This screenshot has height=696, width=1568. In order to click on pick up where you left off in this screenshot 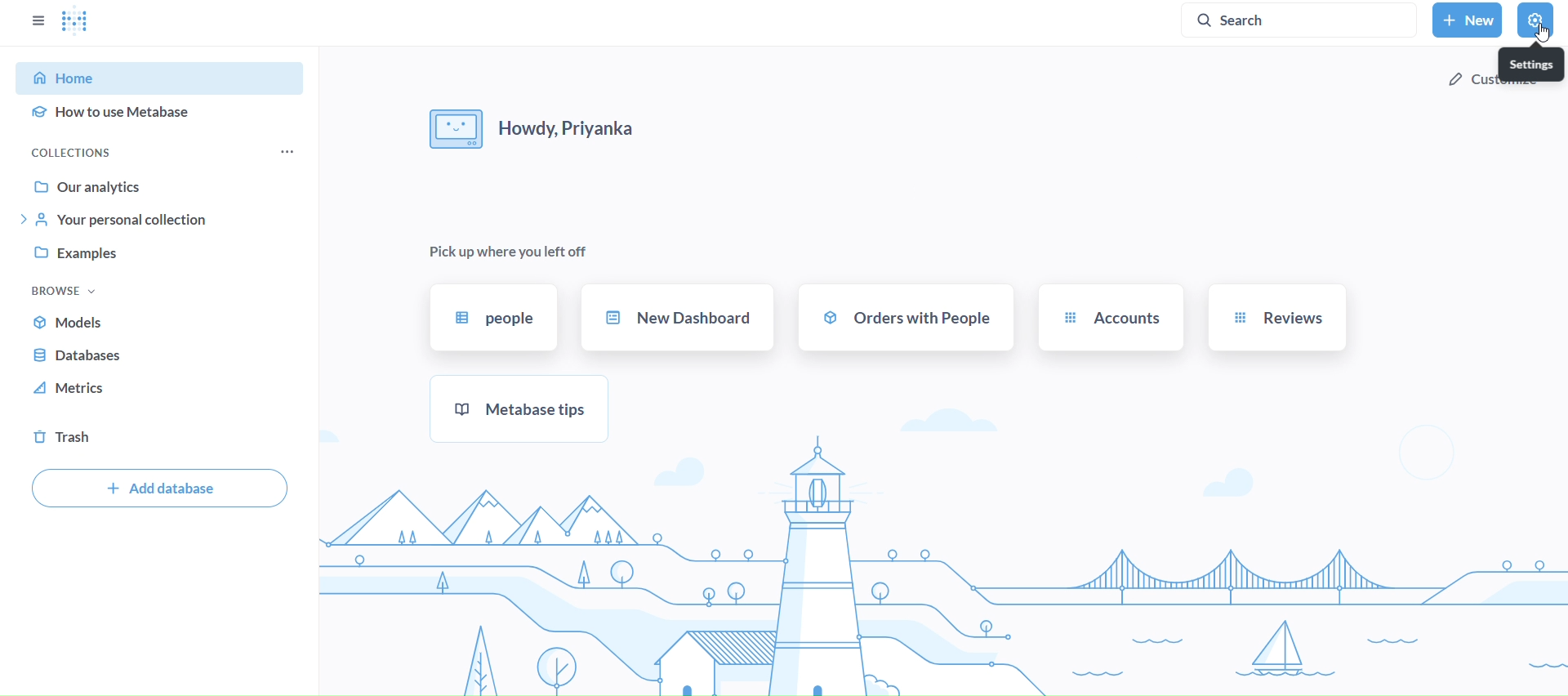, I will do `click(508, 252)`.